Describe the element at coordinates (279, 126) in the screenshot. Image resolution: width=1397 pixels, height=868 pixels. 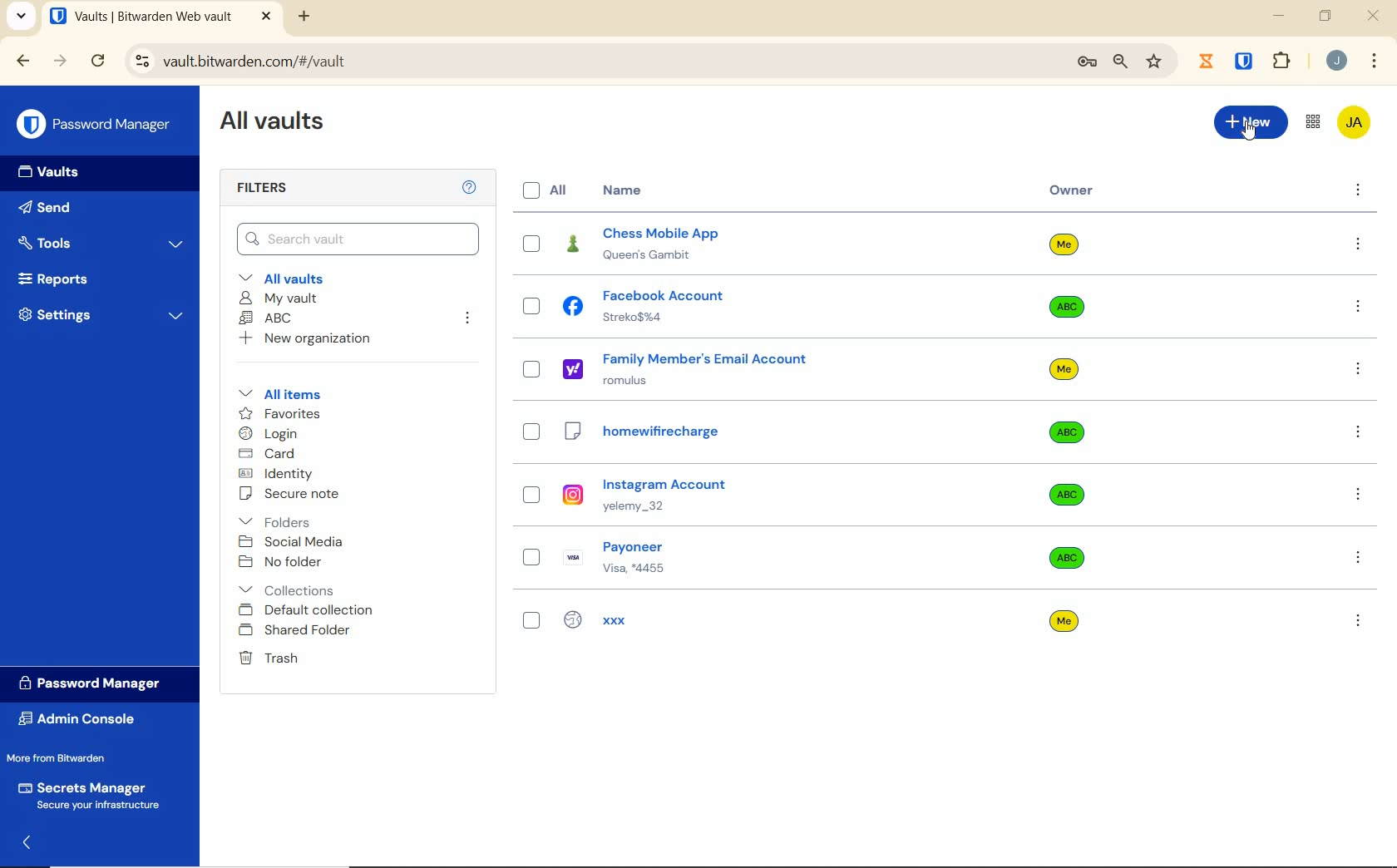
I see `All Vaults` at that location.